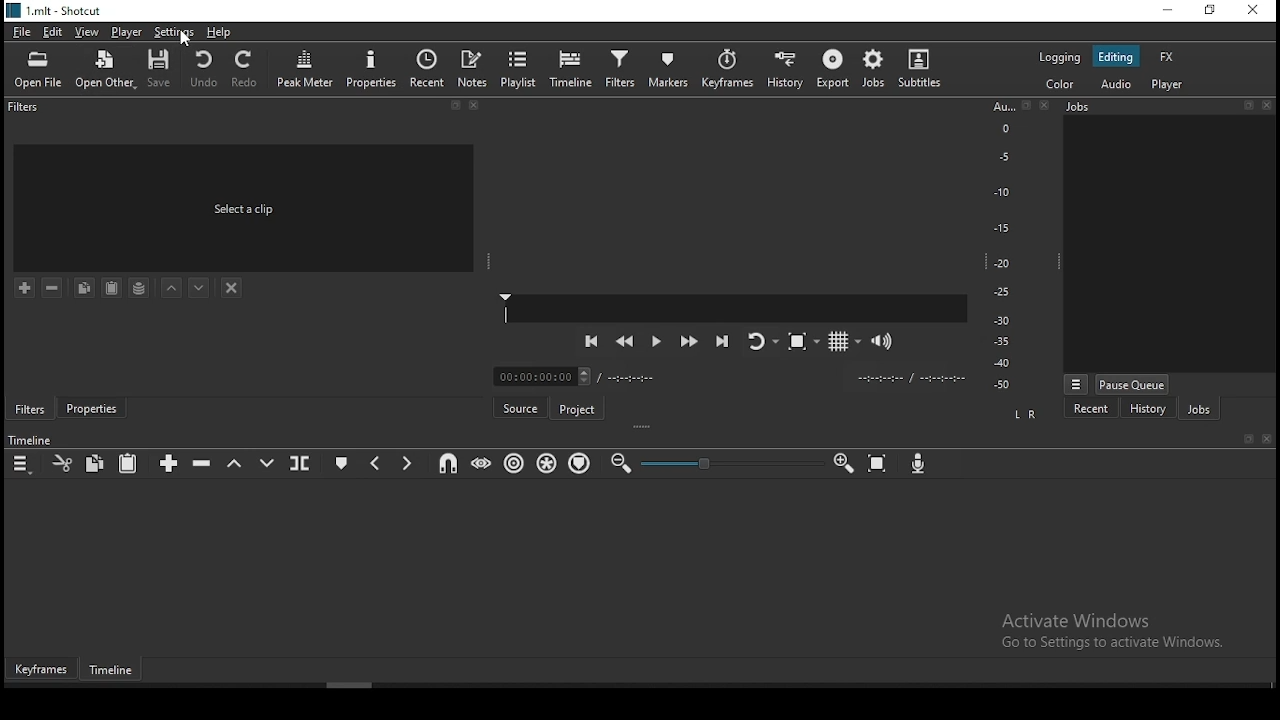  What do you see at coordinates (205, 69) in the screenshot?
I see `undo` at bounding box center [205, 69].